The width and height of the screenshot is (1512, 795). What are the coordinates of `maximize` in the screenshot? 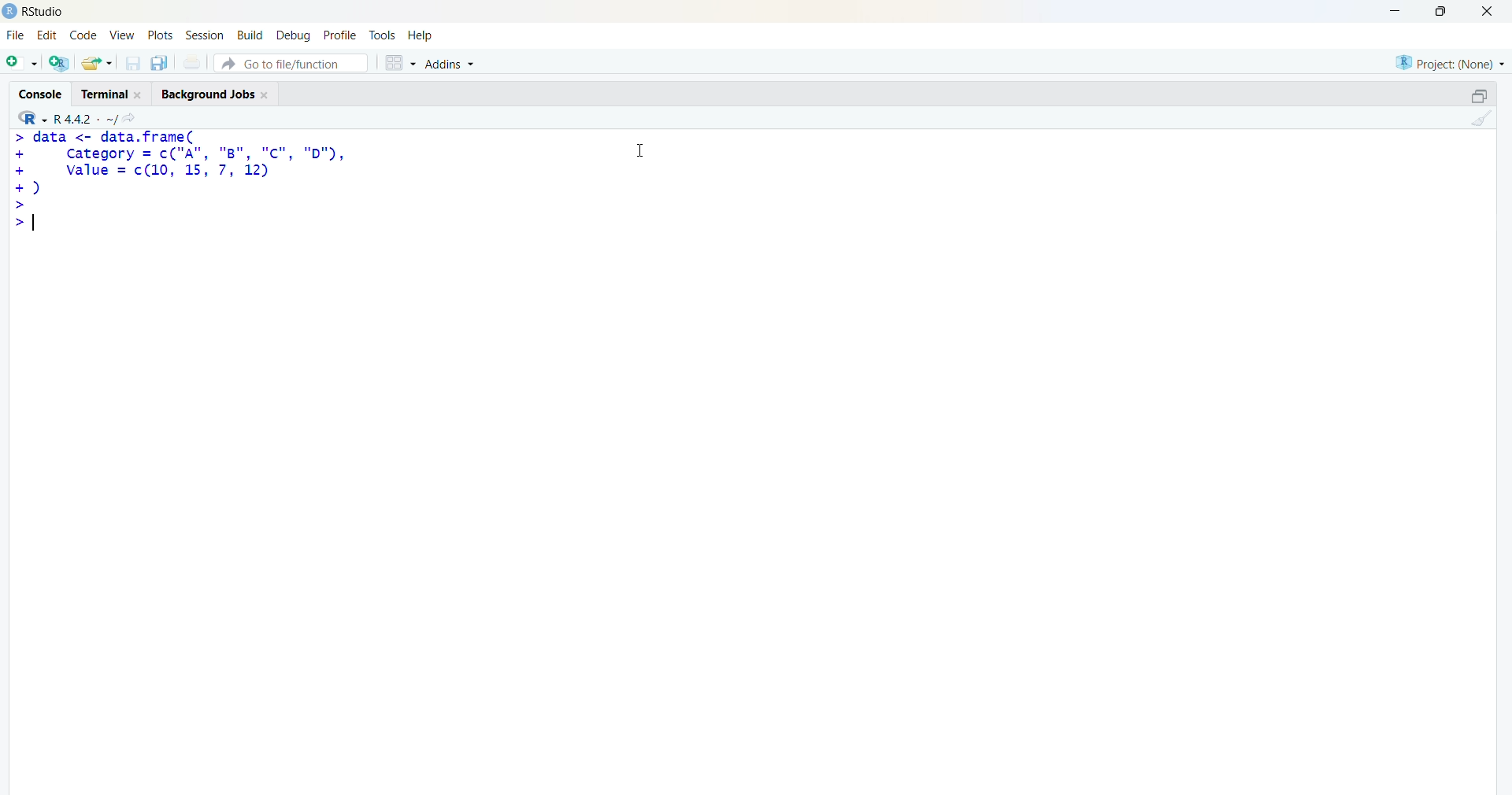 It's located at (1446, 11).